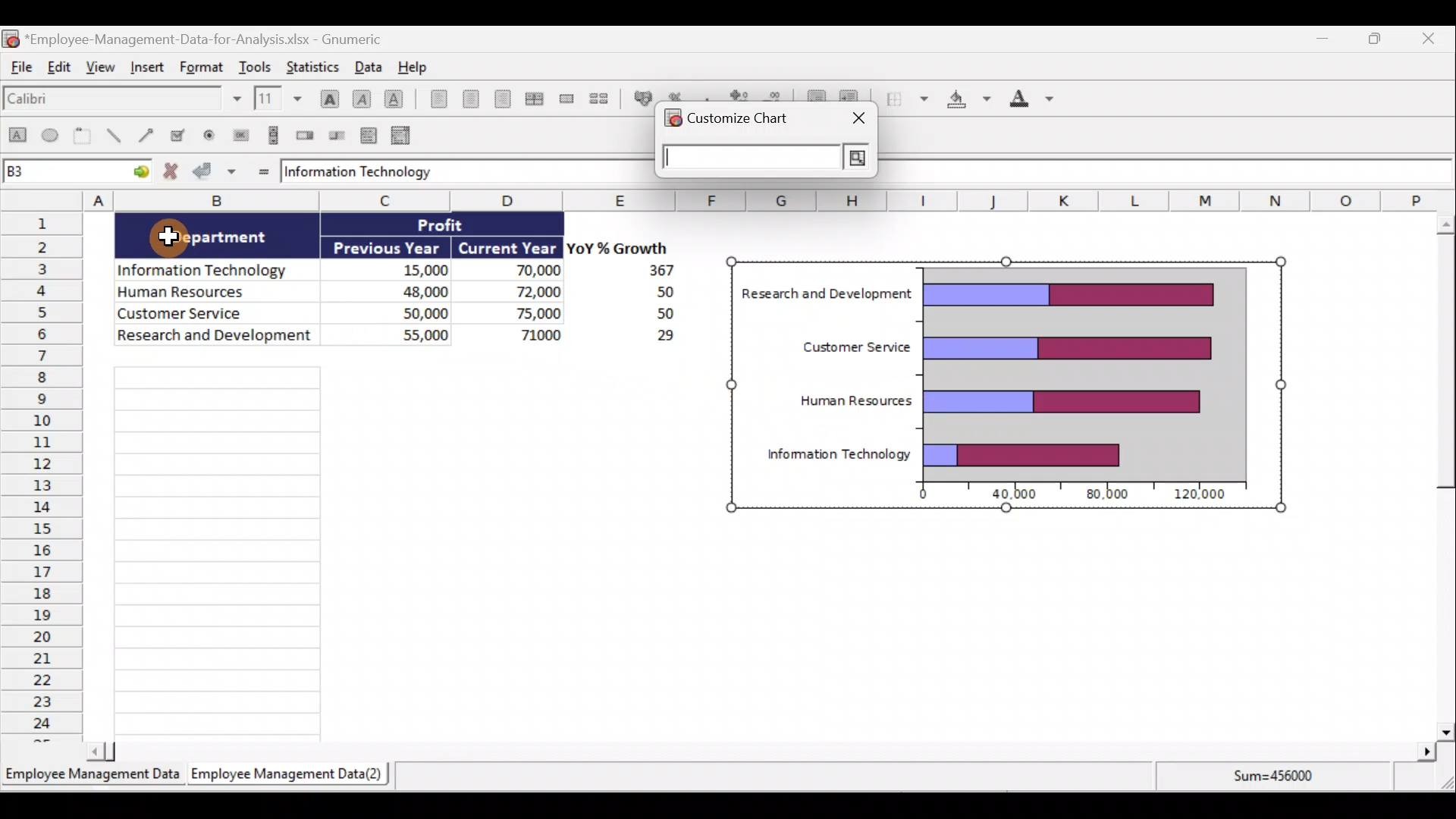 The image size is (1456, 819). I want to click on Split a merged range of cells, so click(605, 100).